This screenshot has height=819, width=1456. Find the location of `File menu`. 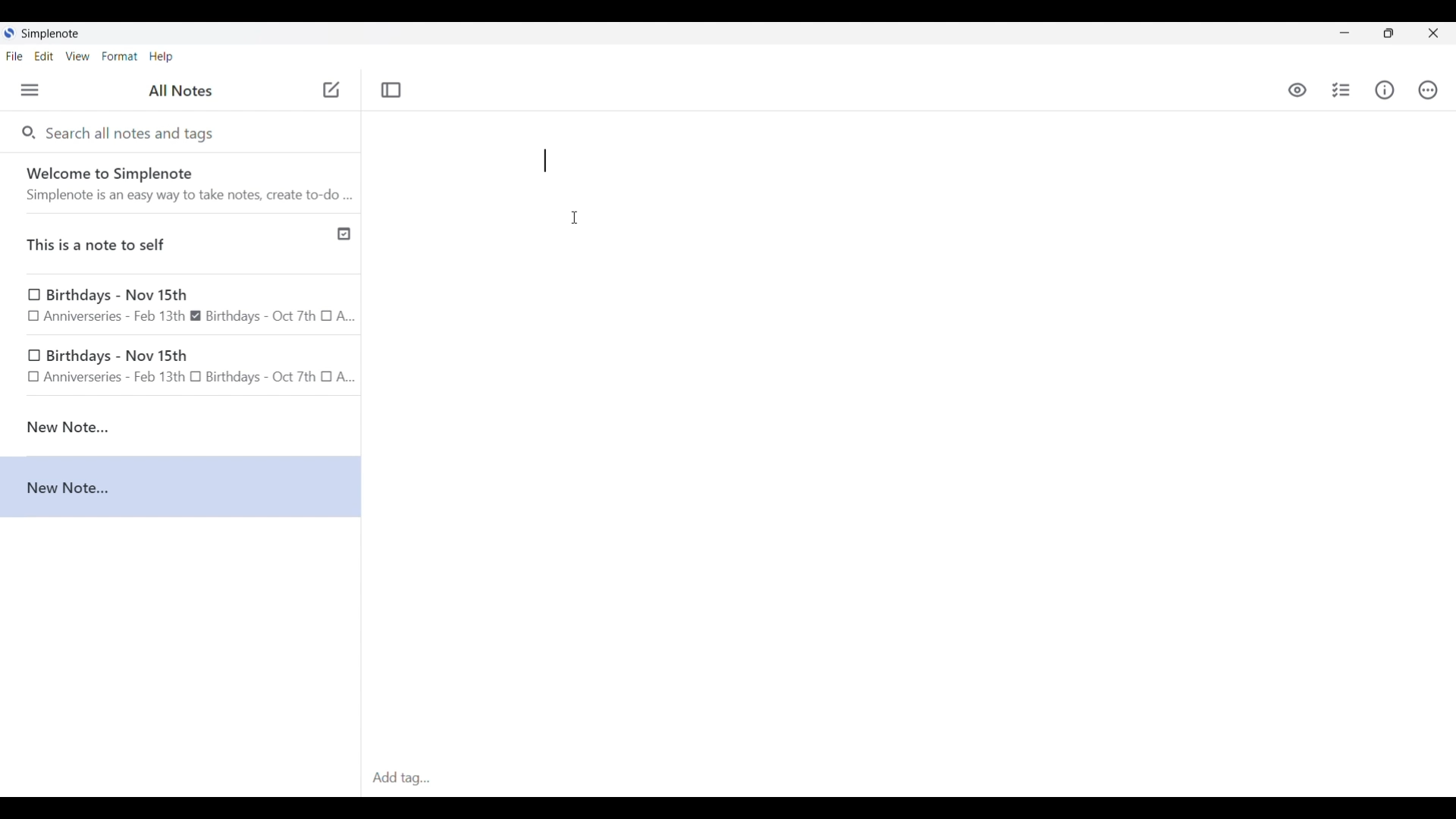

File menu is located at coordinates (14, 55).